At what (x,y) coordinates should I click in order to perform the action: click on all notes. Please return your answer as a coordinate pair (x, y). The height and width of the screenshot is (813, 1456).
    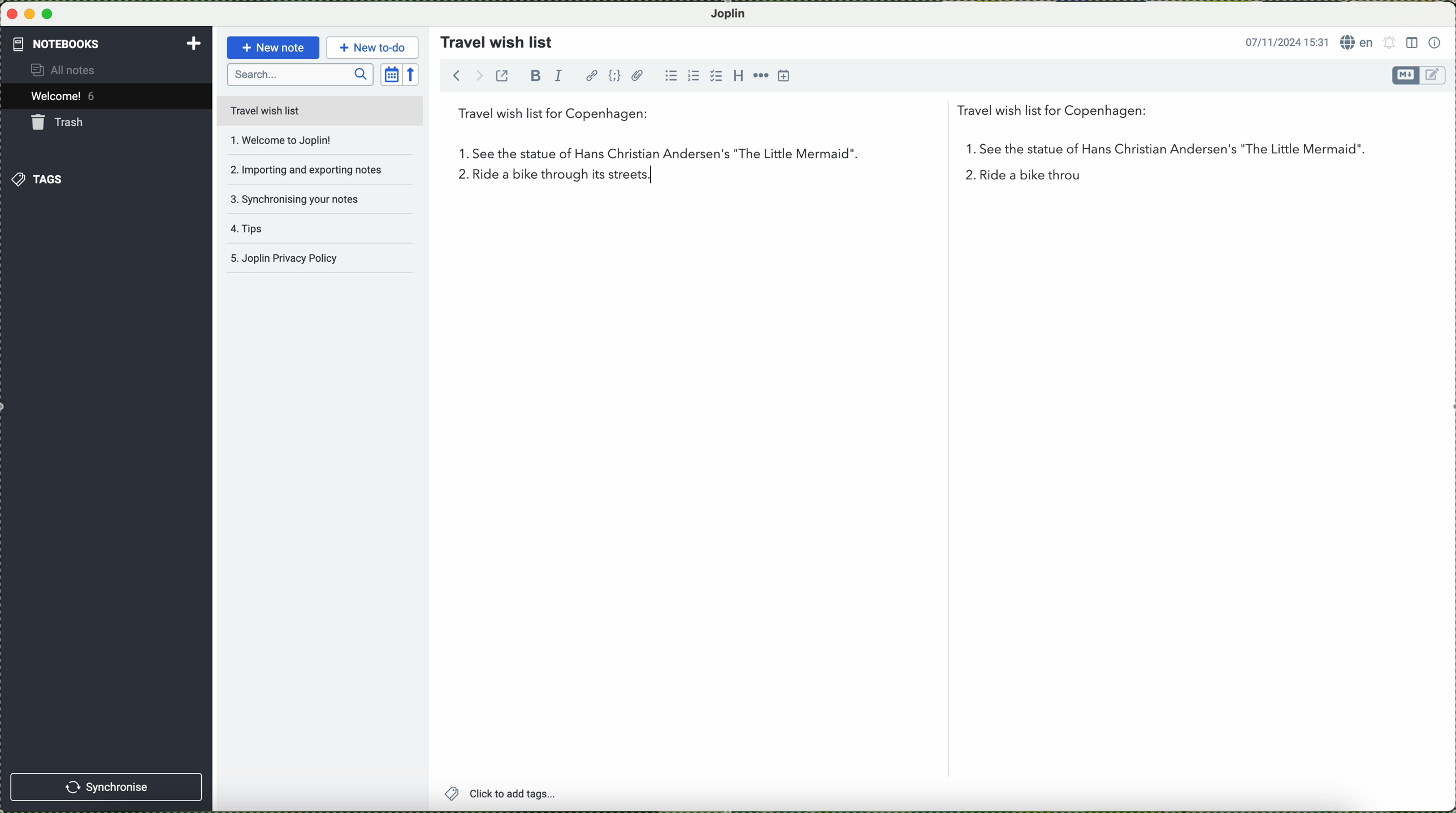
    Looking at the image, I should click on (73, 71).